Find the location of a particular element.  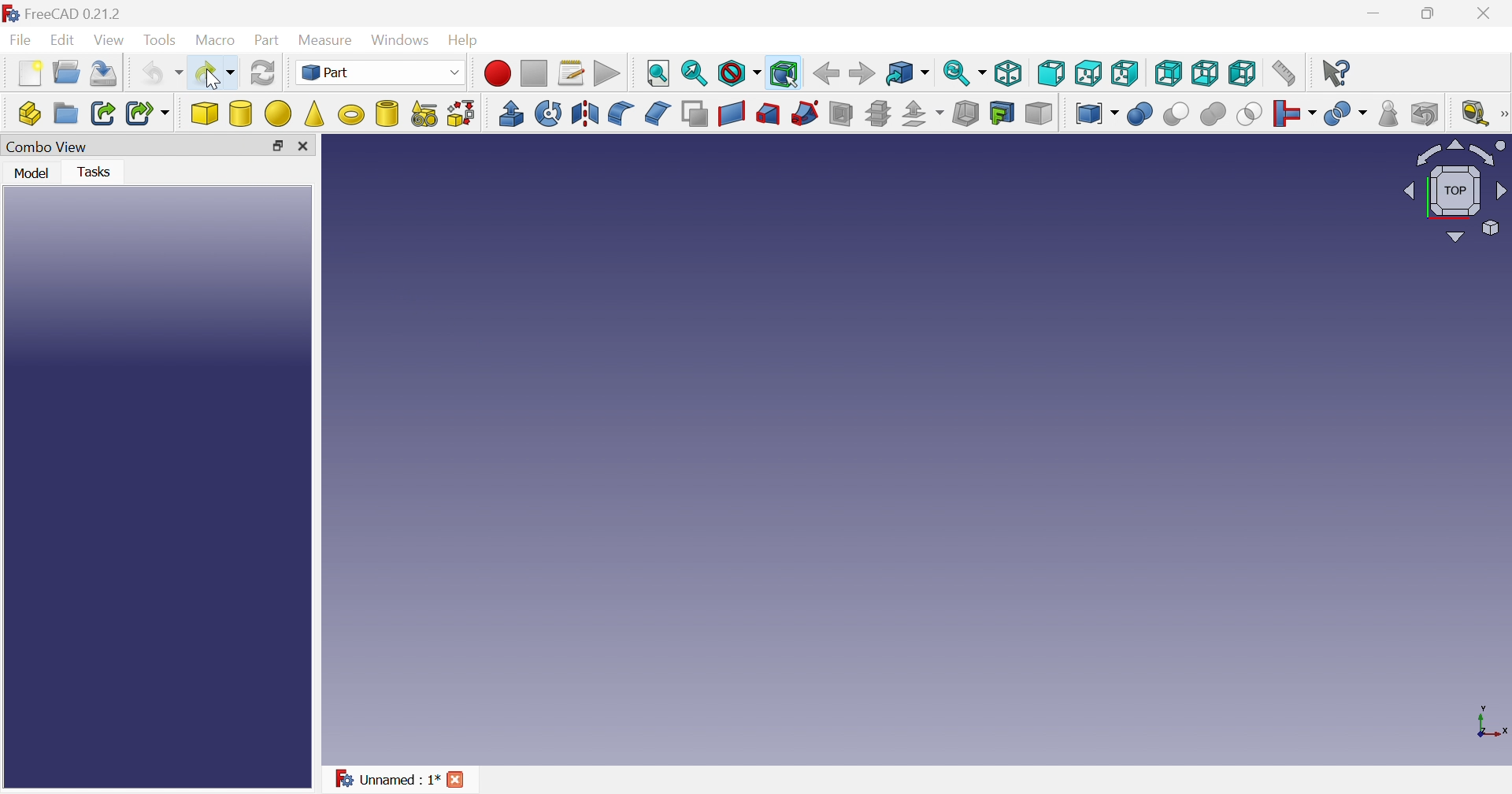

Make face from wires is located at coordinates (695, 115).